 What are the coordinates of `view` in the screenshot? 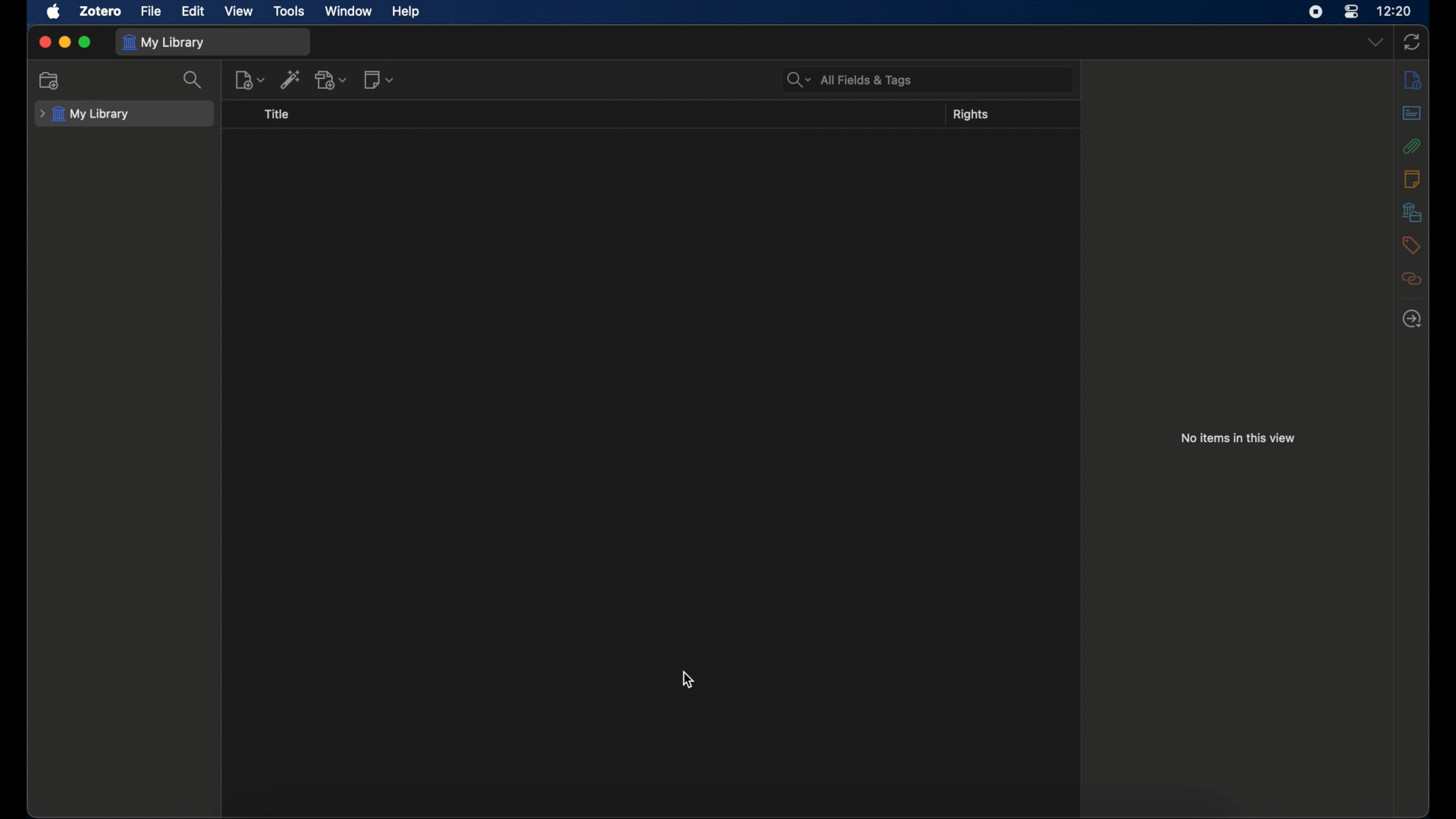 It's located at (240, 11).